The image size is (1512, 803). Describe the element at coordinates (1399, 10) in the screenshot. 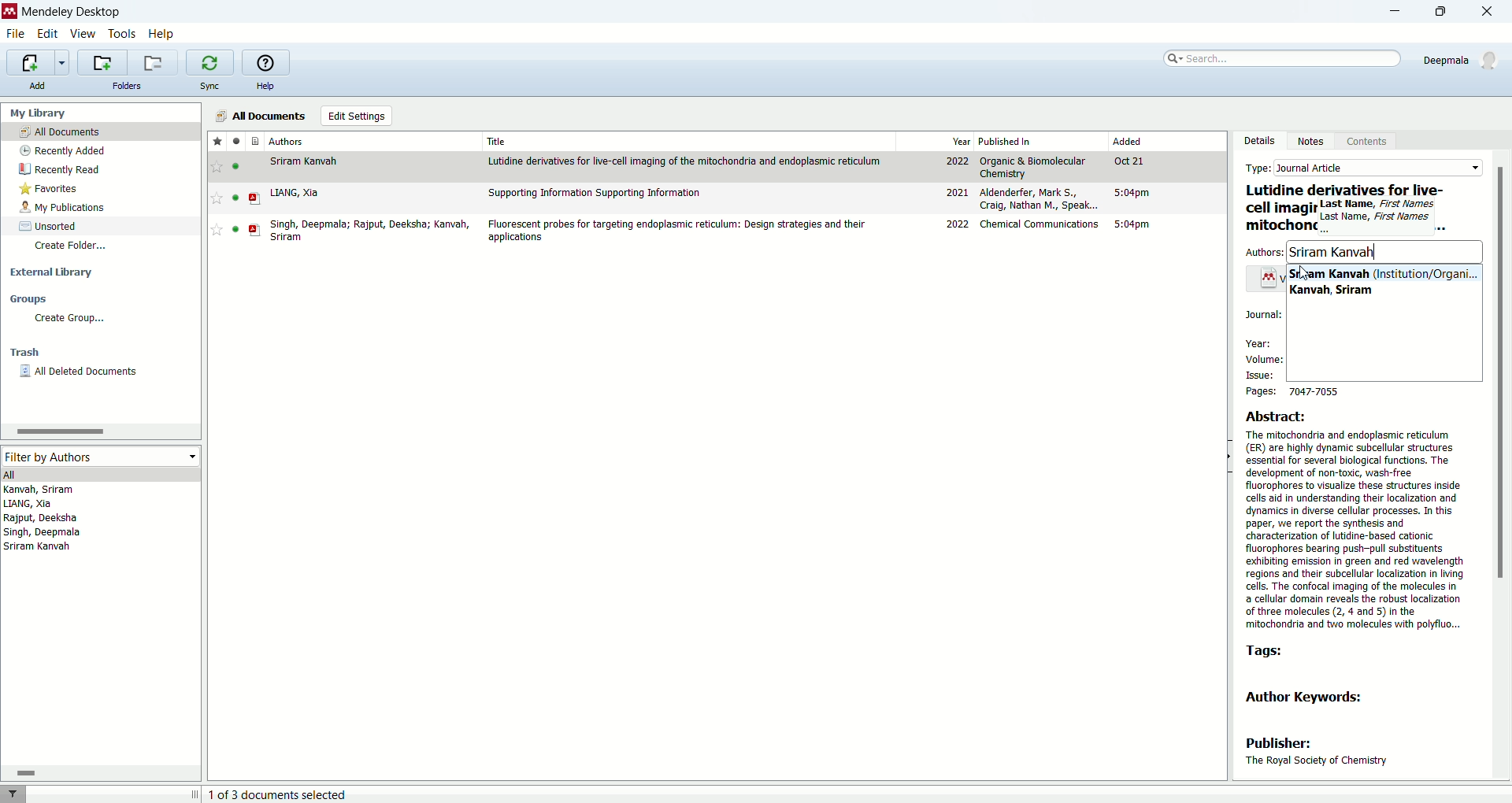

I see `minimize` at that location.